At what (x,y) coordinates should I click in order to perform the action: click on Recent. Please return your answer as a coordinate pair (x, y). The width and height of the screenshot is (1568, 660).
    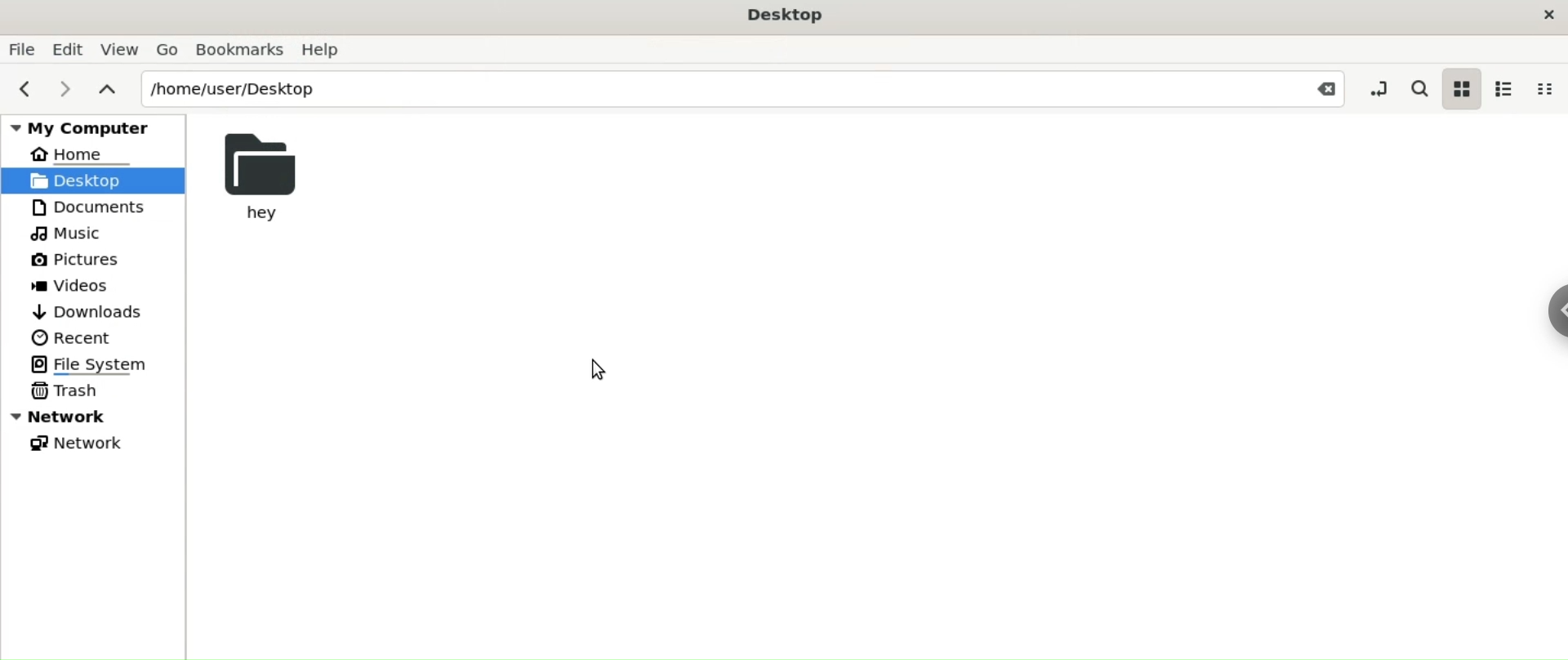
    Looking at the image, I should click on (74, 337).